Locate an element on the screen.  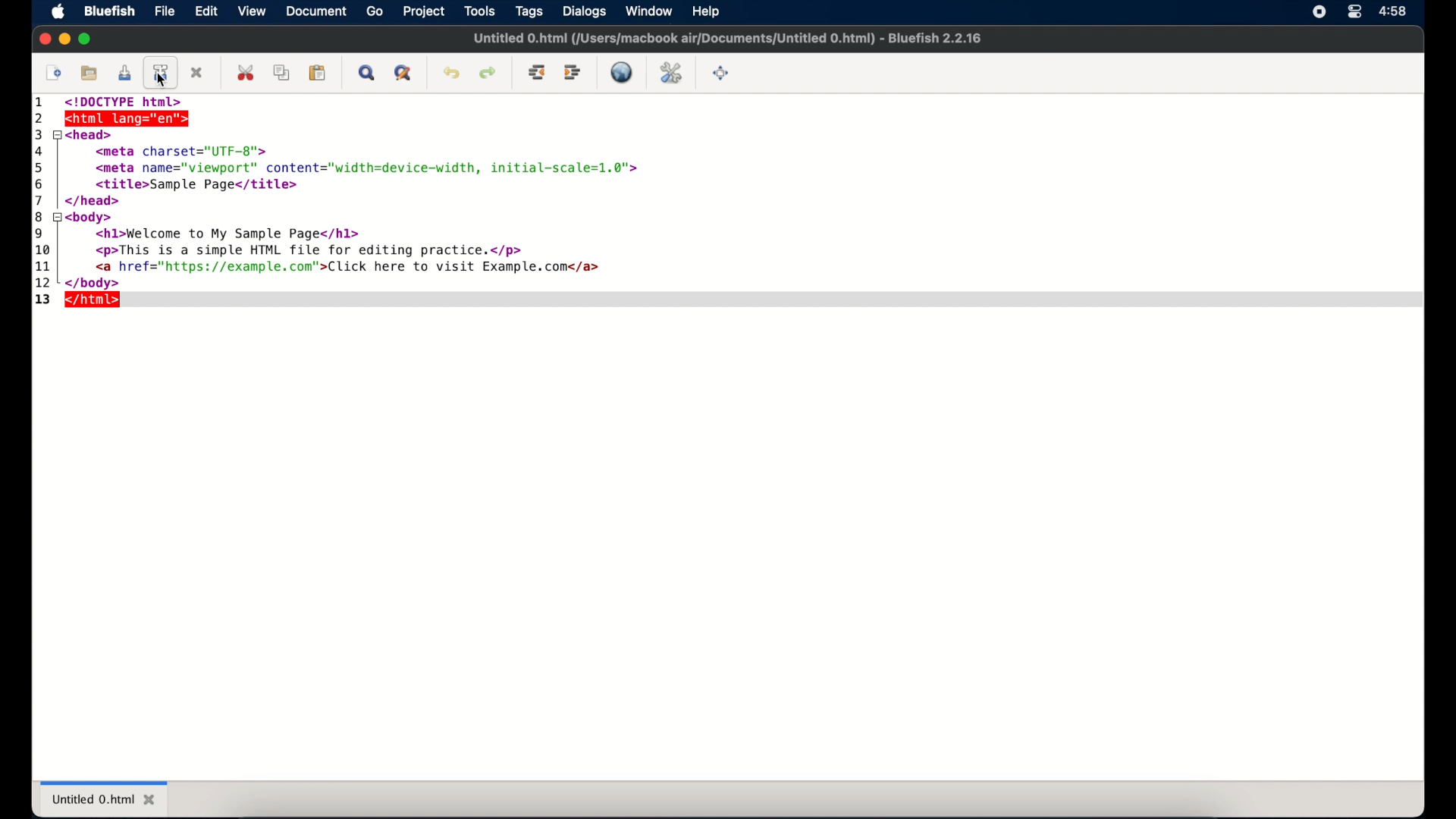
<p>This is a simple HTML file for editing practice.</p> is located at coordinates (306, 249).